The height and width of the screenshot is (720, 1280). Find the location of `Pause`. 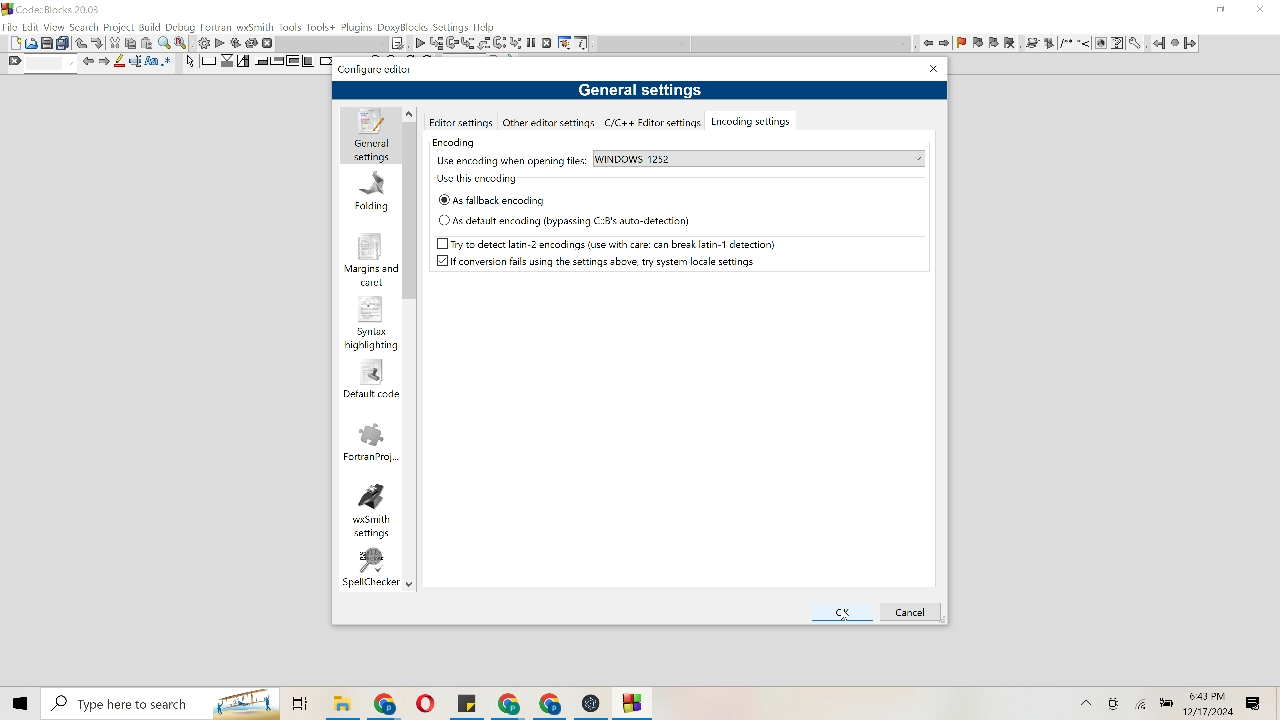

Pause is located at coordinates (1174, 44).